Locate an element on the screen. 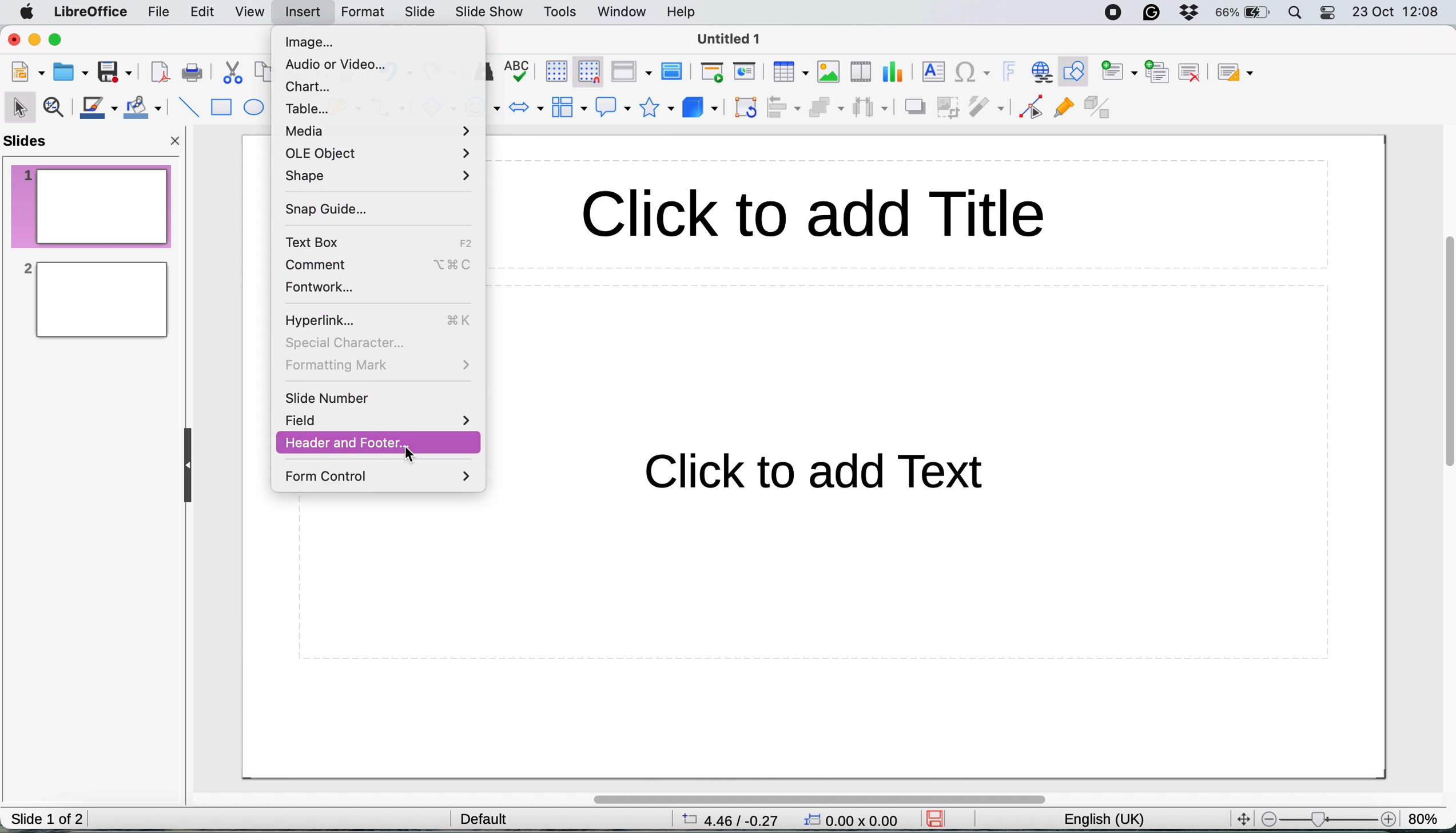  close is located at coordinates (177, 144).